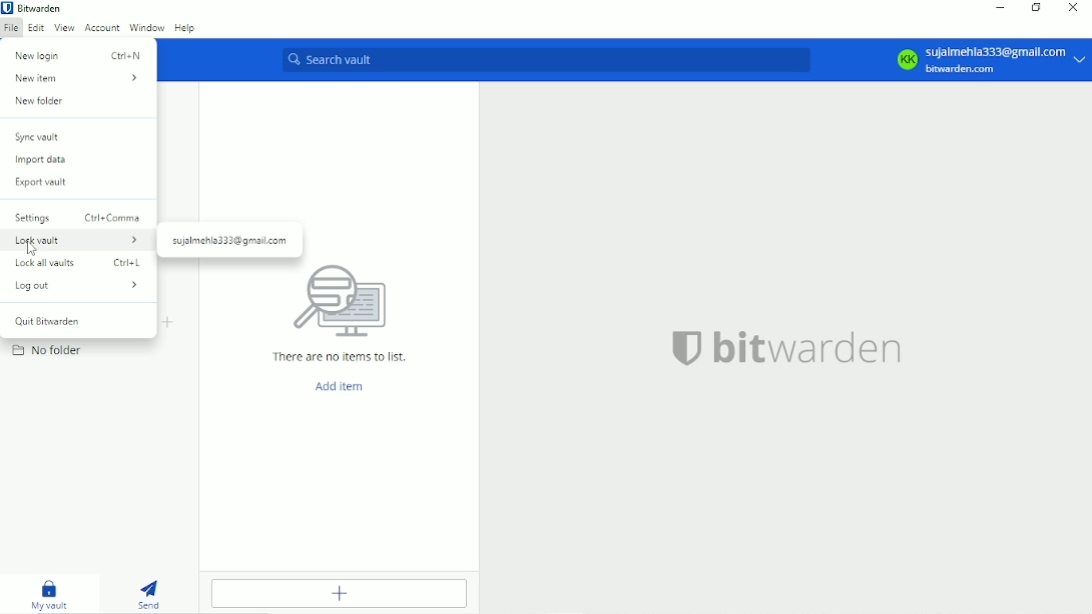 Image resolution: width=1092 pixels, height=614 pixels. What do you see at coordinates (337, 312) in the screenshot?
I see `There are no items to list` at bounding box center [337, 312].